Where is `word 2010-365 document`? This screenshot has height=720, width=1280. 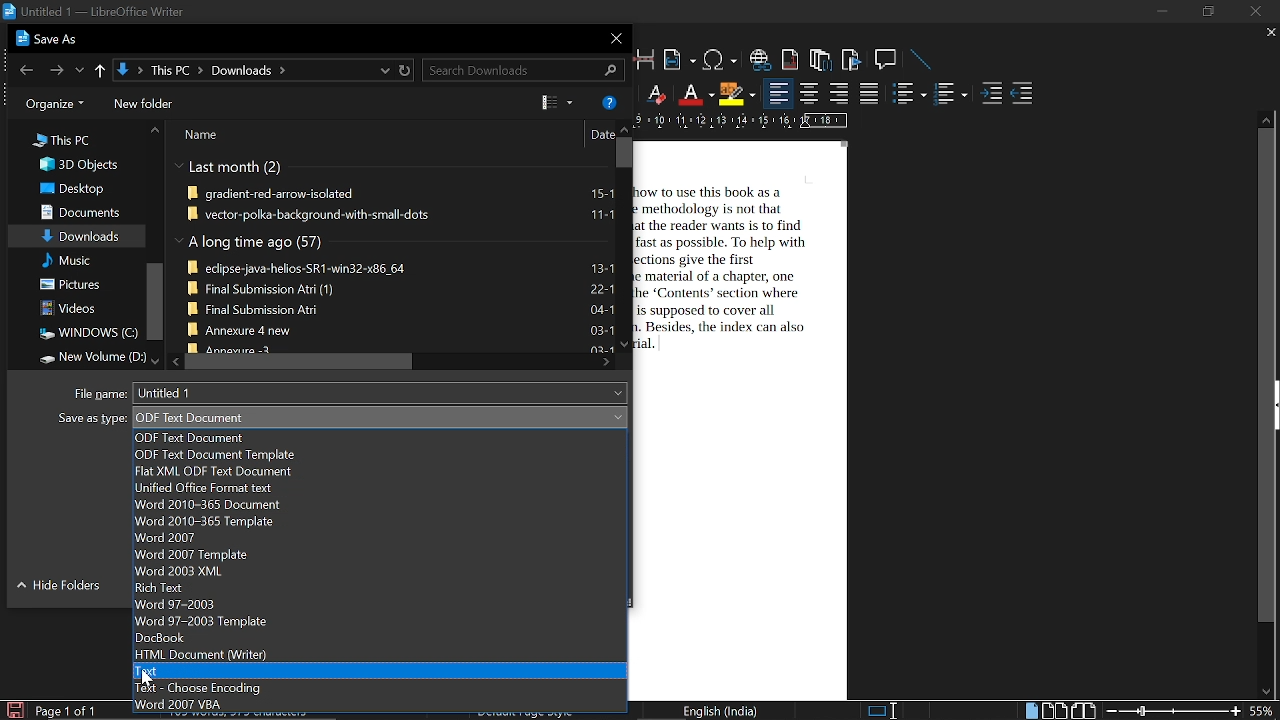 word 2010-365 document is located at coordinates (379, 521).